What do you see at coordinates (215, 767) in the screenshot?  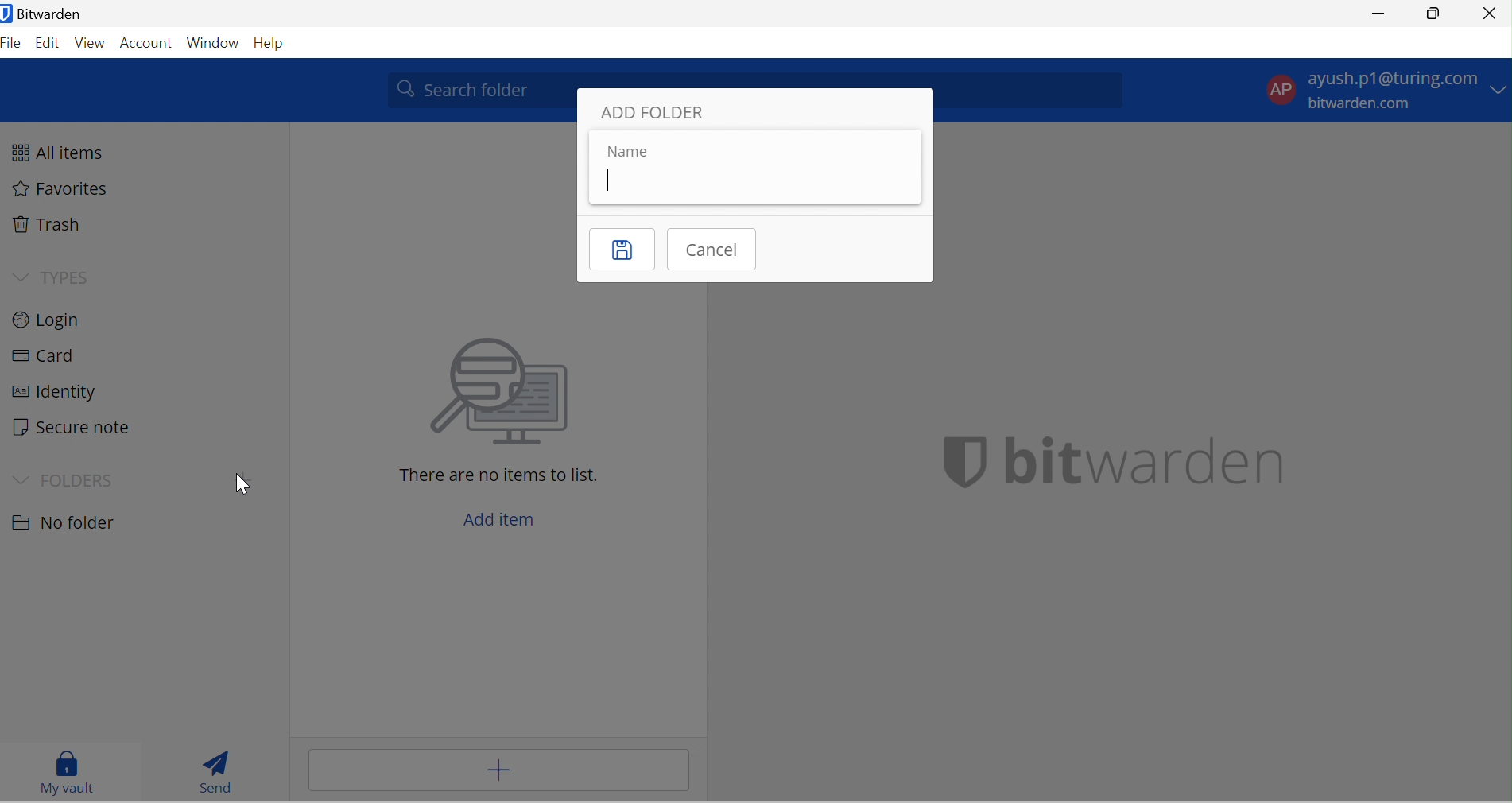 I see `Send` at bounding box center [215, 767].